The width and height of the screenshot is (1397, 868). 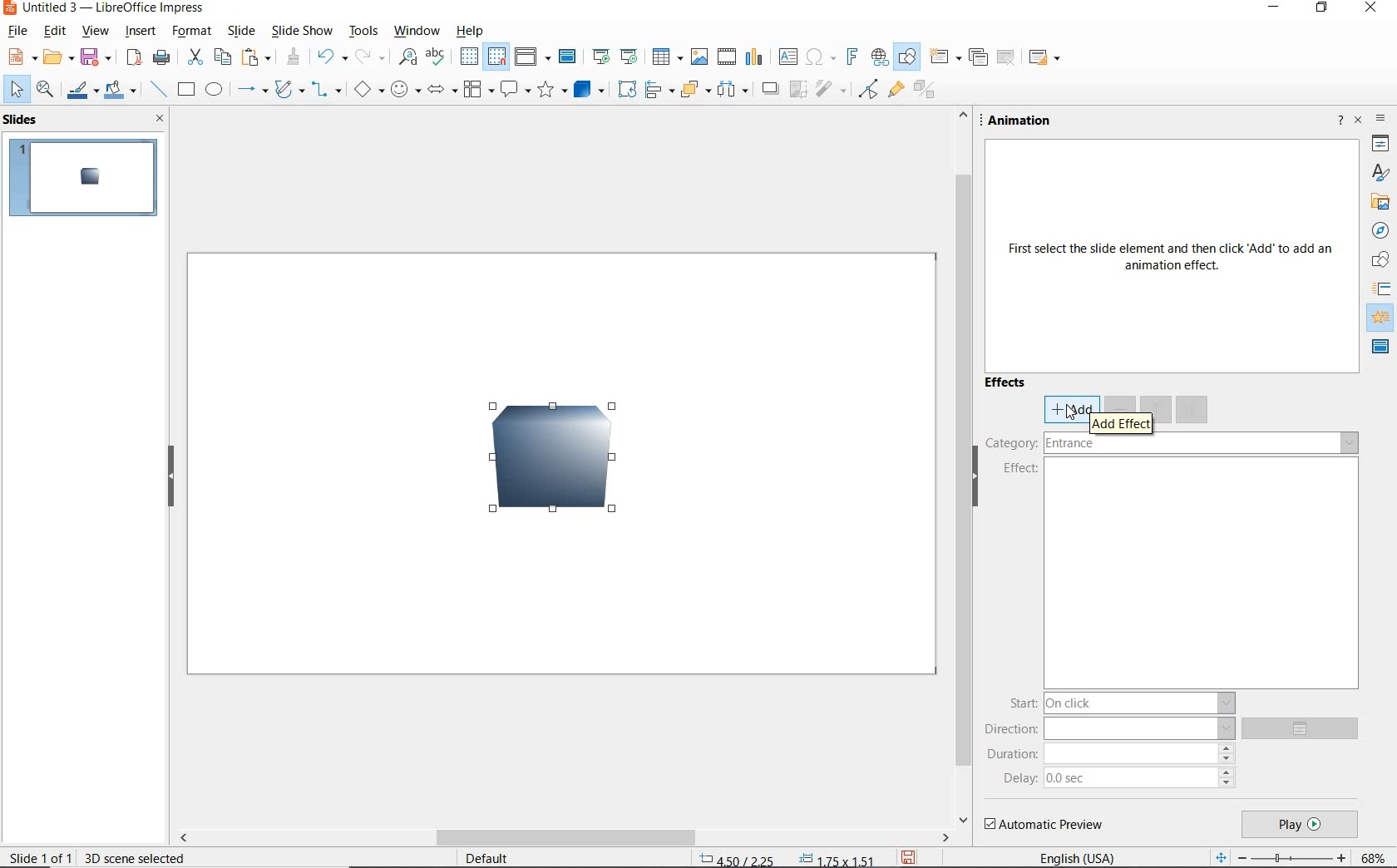 I want to click on print, so click(x=160, y=57).